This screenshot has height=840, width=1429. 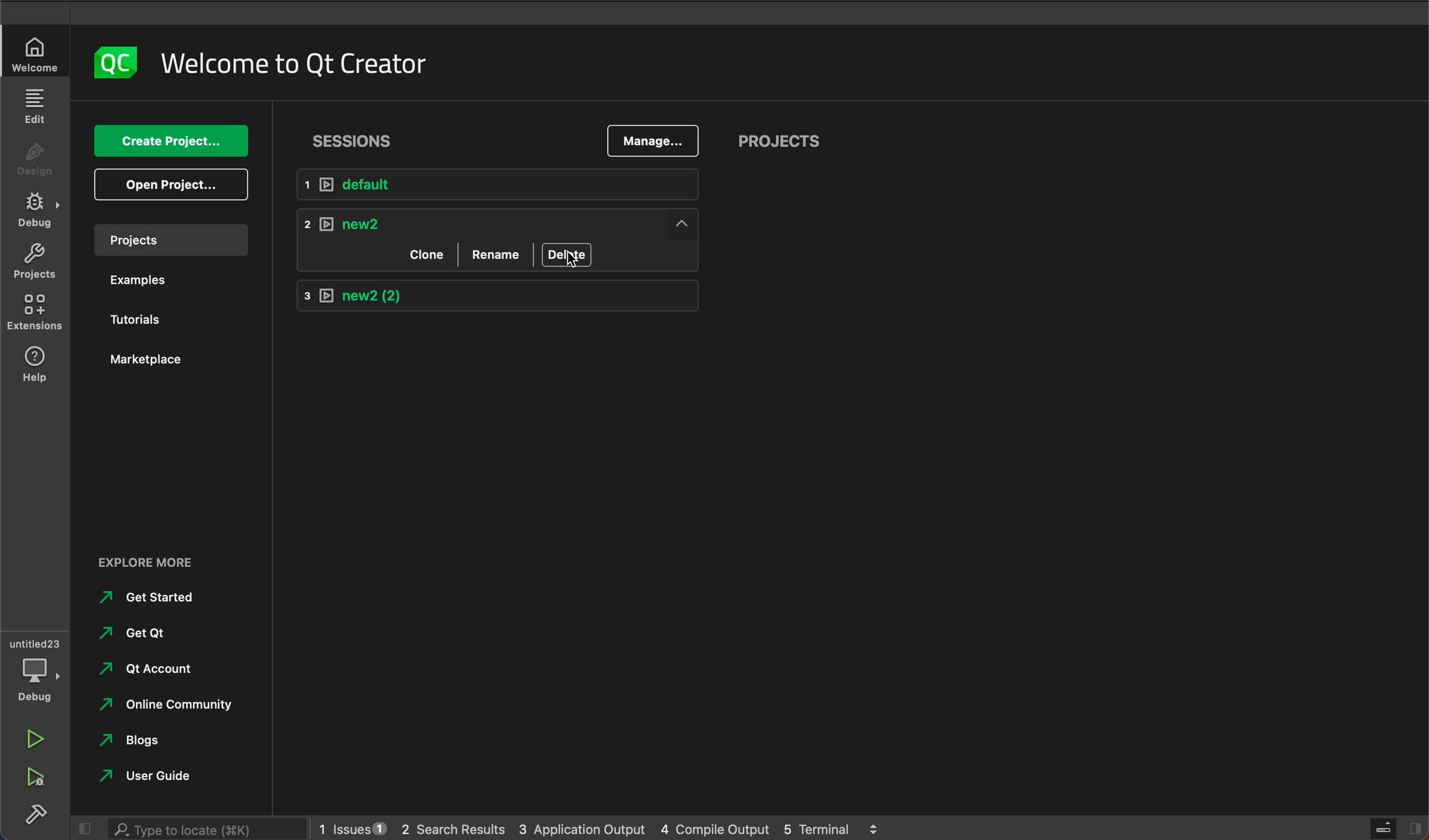 I want to click on Blogs, so click(x=136, y=743).